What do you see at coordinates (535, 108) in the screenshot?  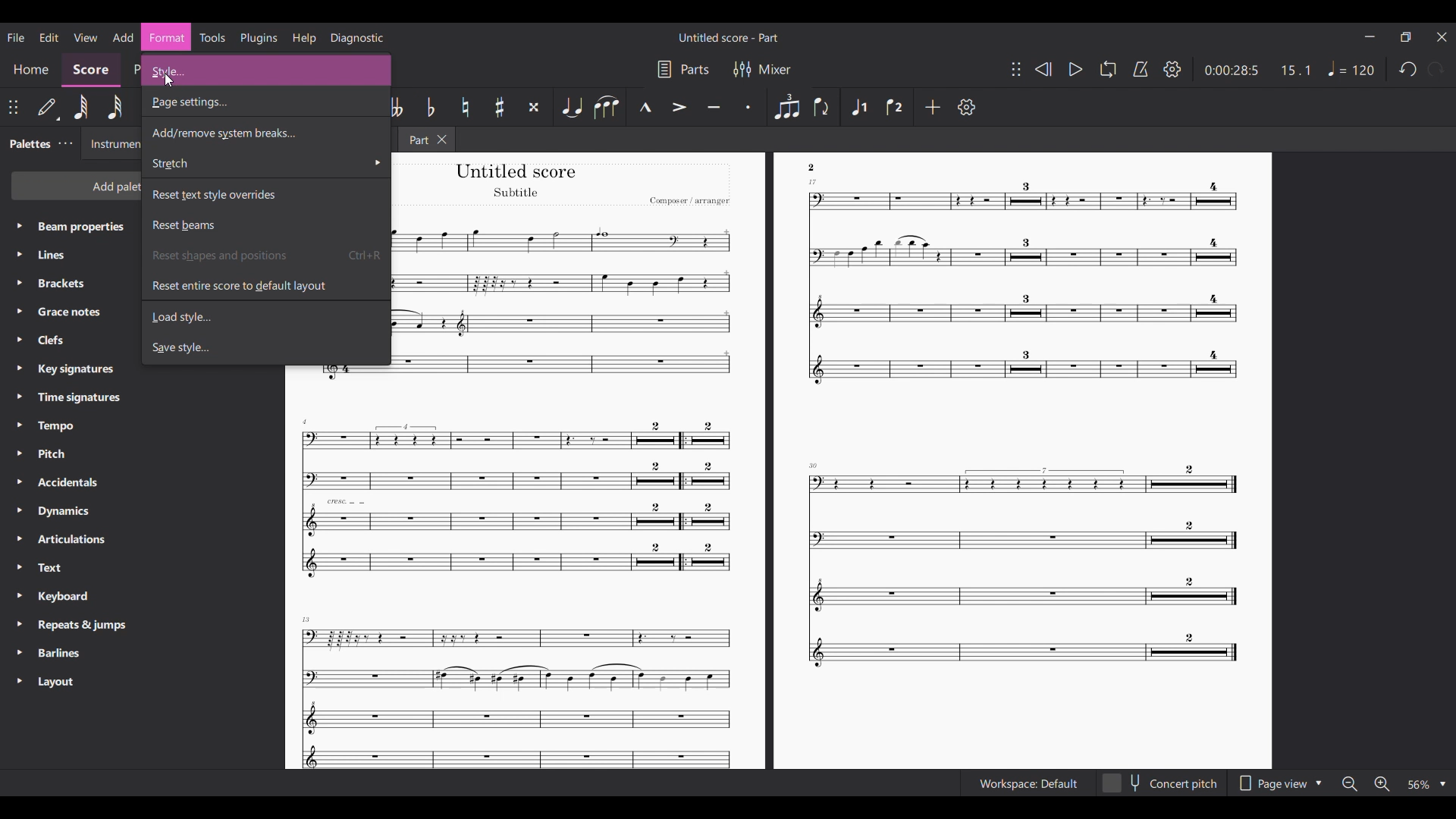 I see `Toggle double sharp` at bounding box center [535, 108].